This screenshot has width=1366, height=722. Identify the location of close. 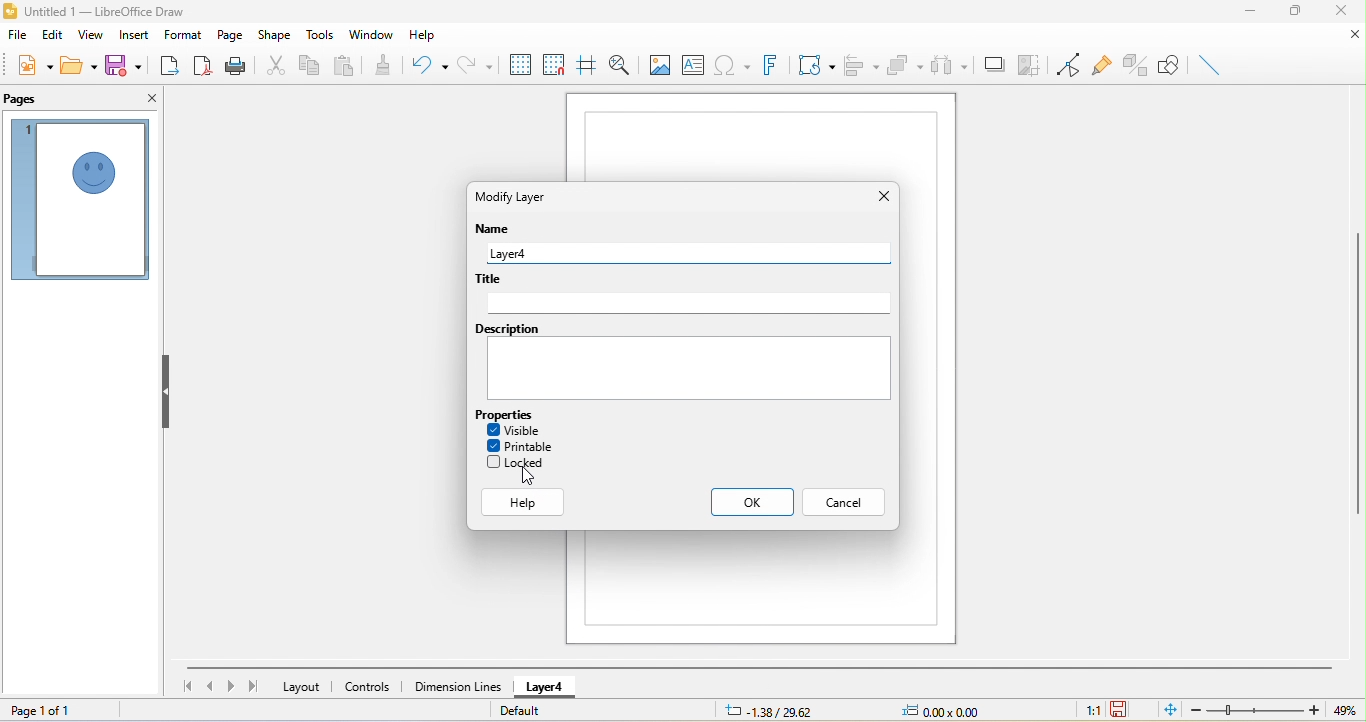
(1340, 11).